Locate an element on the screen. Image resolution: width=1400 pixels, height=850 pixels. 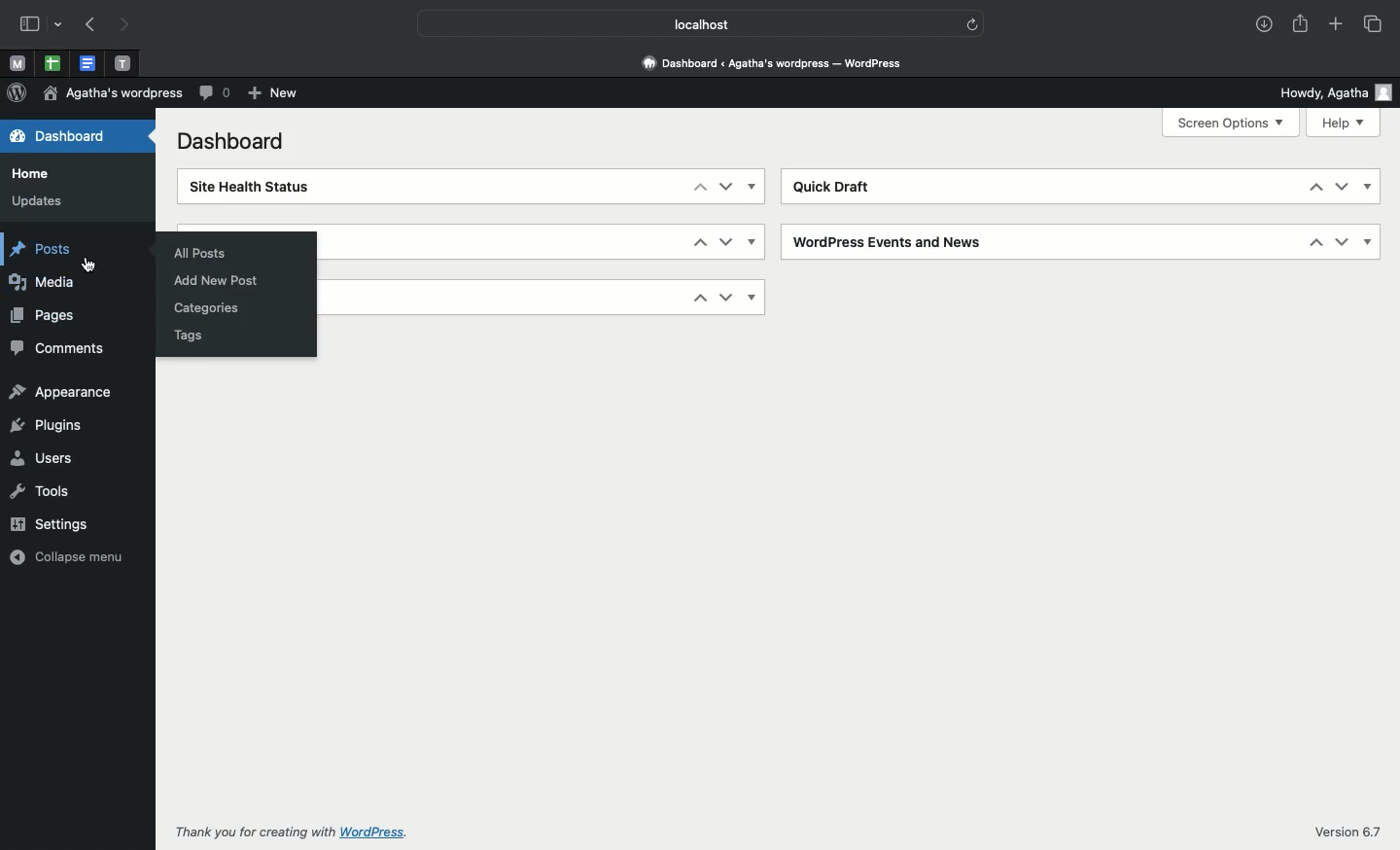
Local host is located at coordinates (688, 21).